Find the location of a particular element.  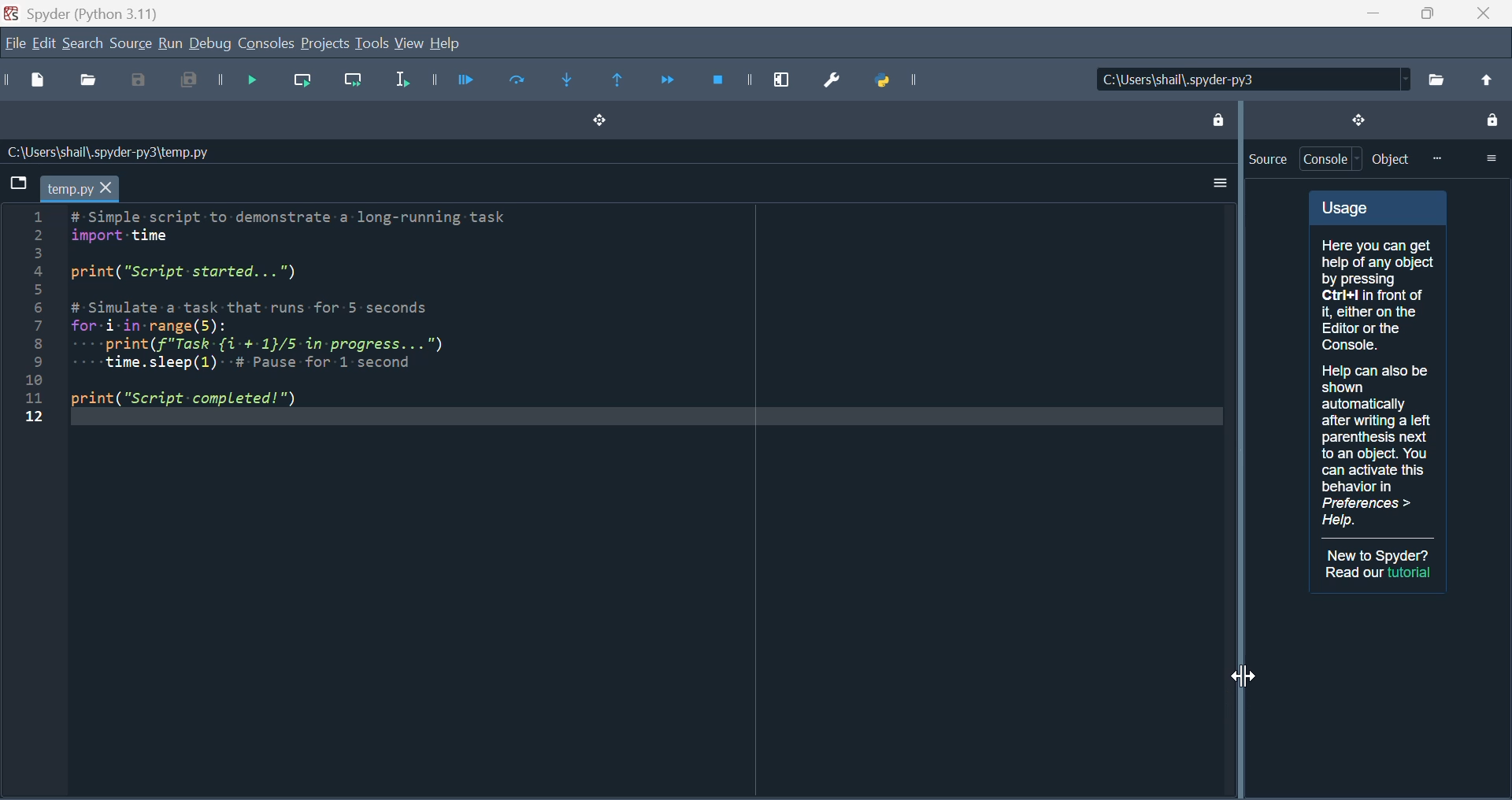

Preferences is located at coordinates (838, 78).